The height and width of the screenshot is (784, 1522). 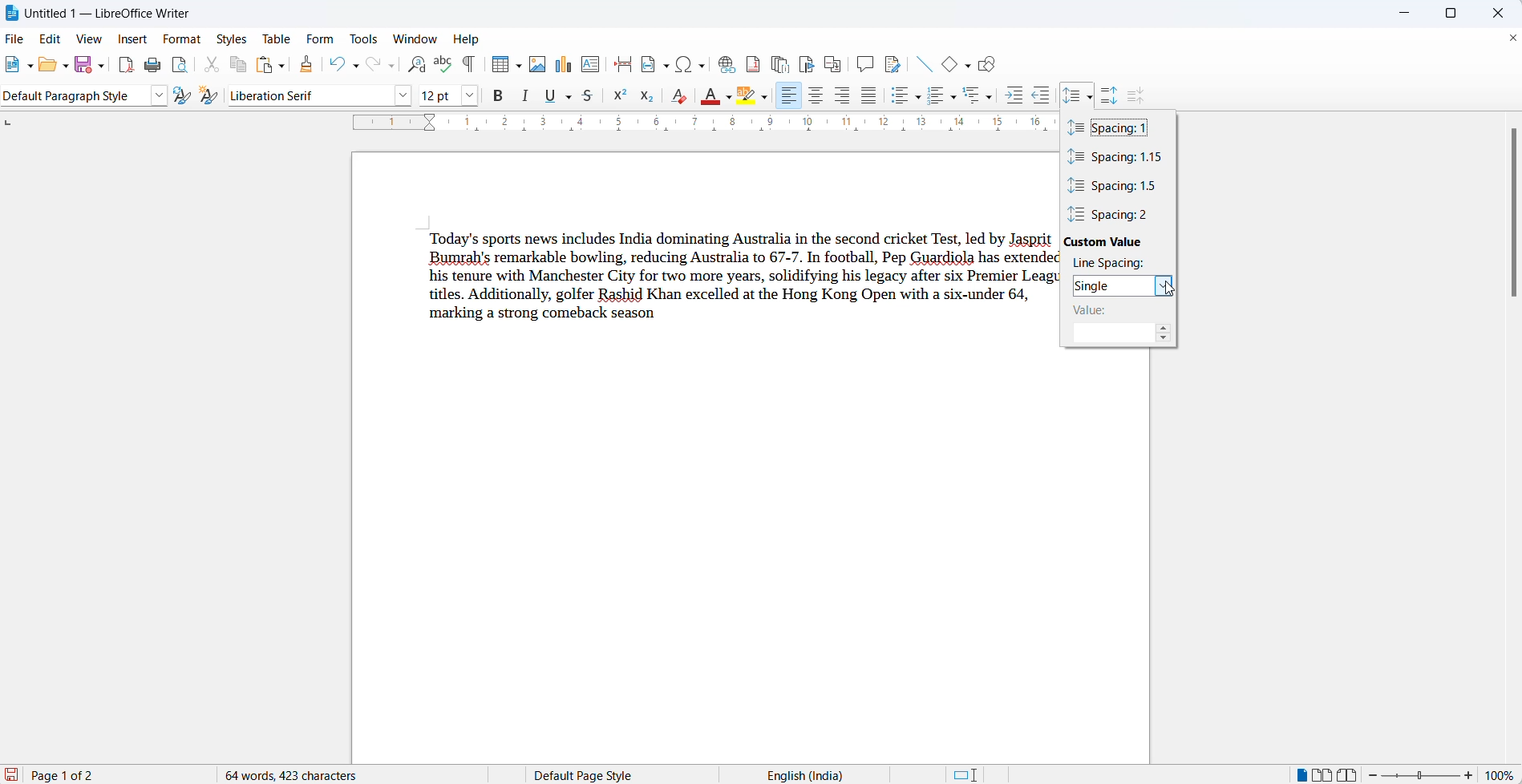 What do you see at coordinates (1502, 774) in the screenshot?
I see `zoom percentage` at bounding box center [1502, 774].